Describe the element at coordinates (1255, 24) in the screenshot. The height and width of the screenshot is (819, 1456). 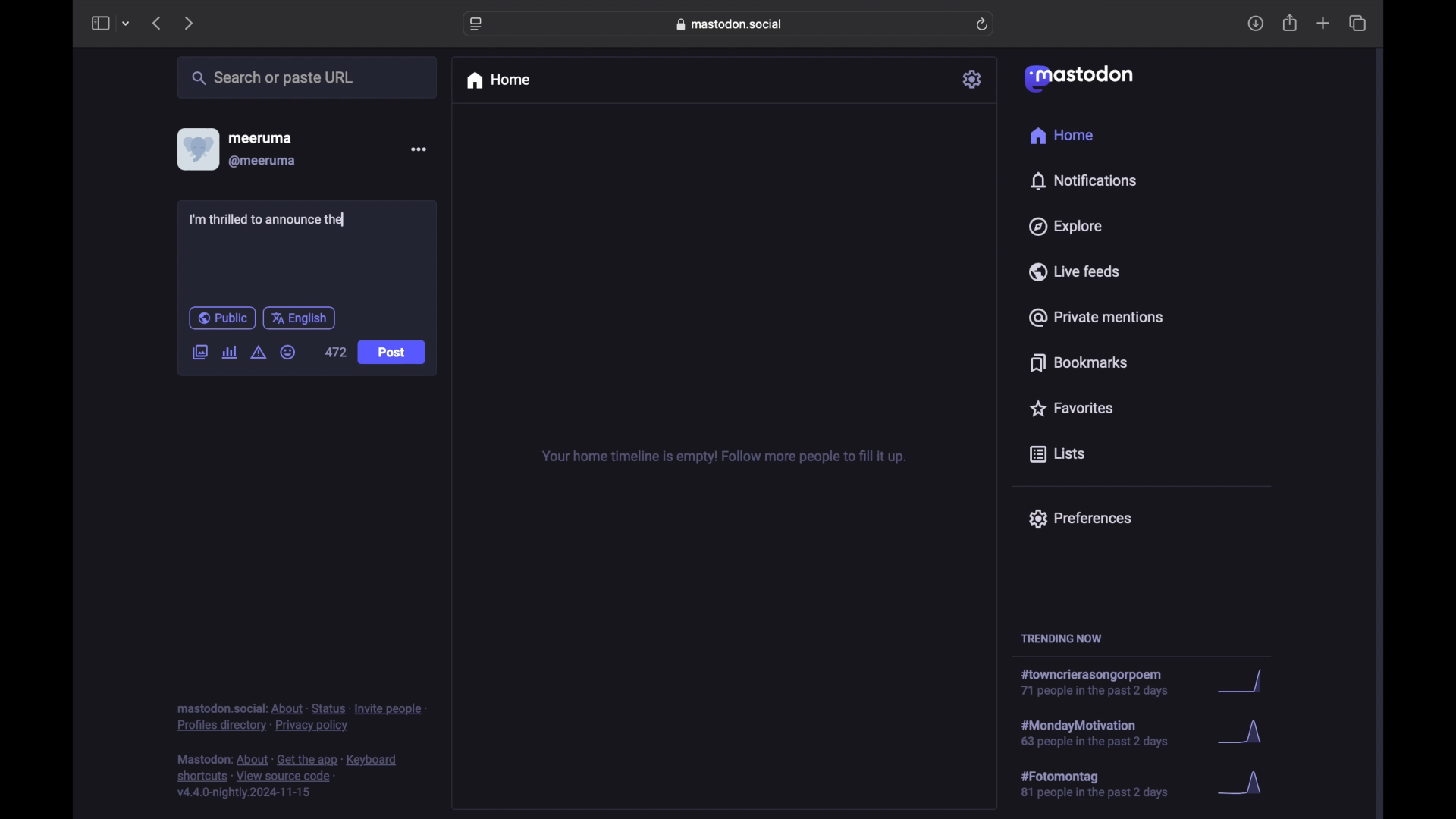
I see `downloads` at that location.